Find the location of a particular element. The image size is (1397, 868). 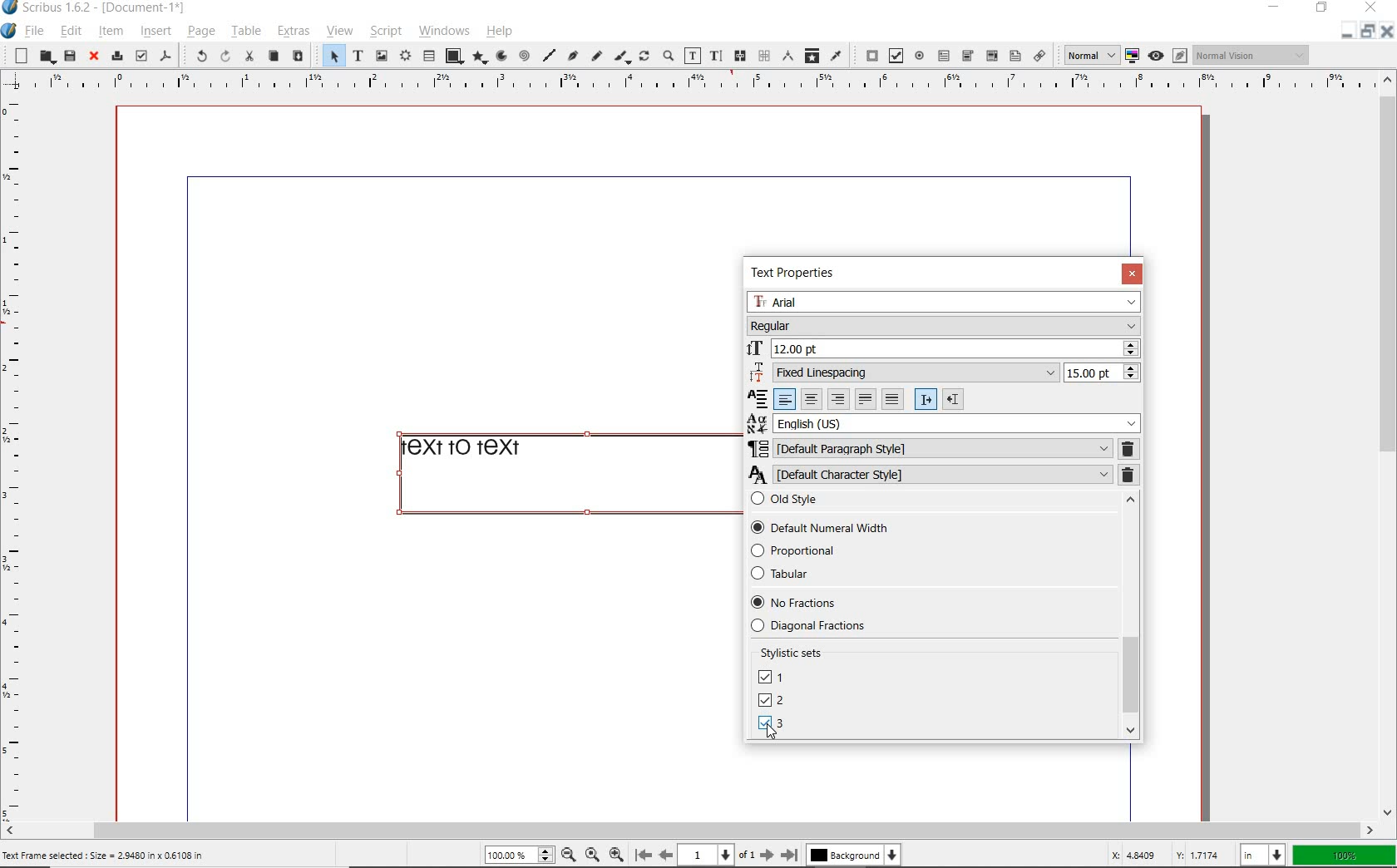

link text frames is located at coordinates (738, 56).